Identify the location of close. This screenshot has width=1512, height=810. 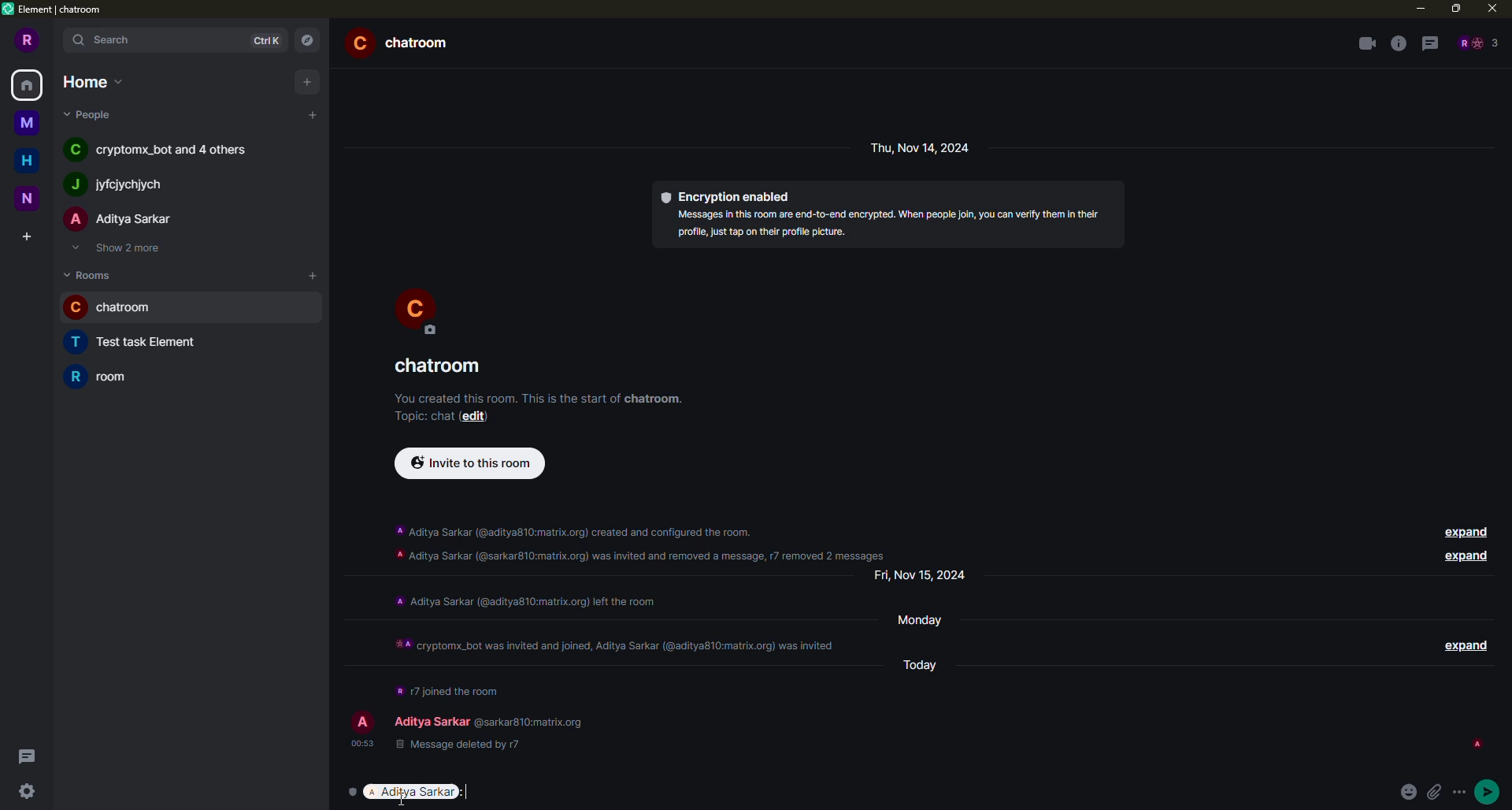
(1492, 8).